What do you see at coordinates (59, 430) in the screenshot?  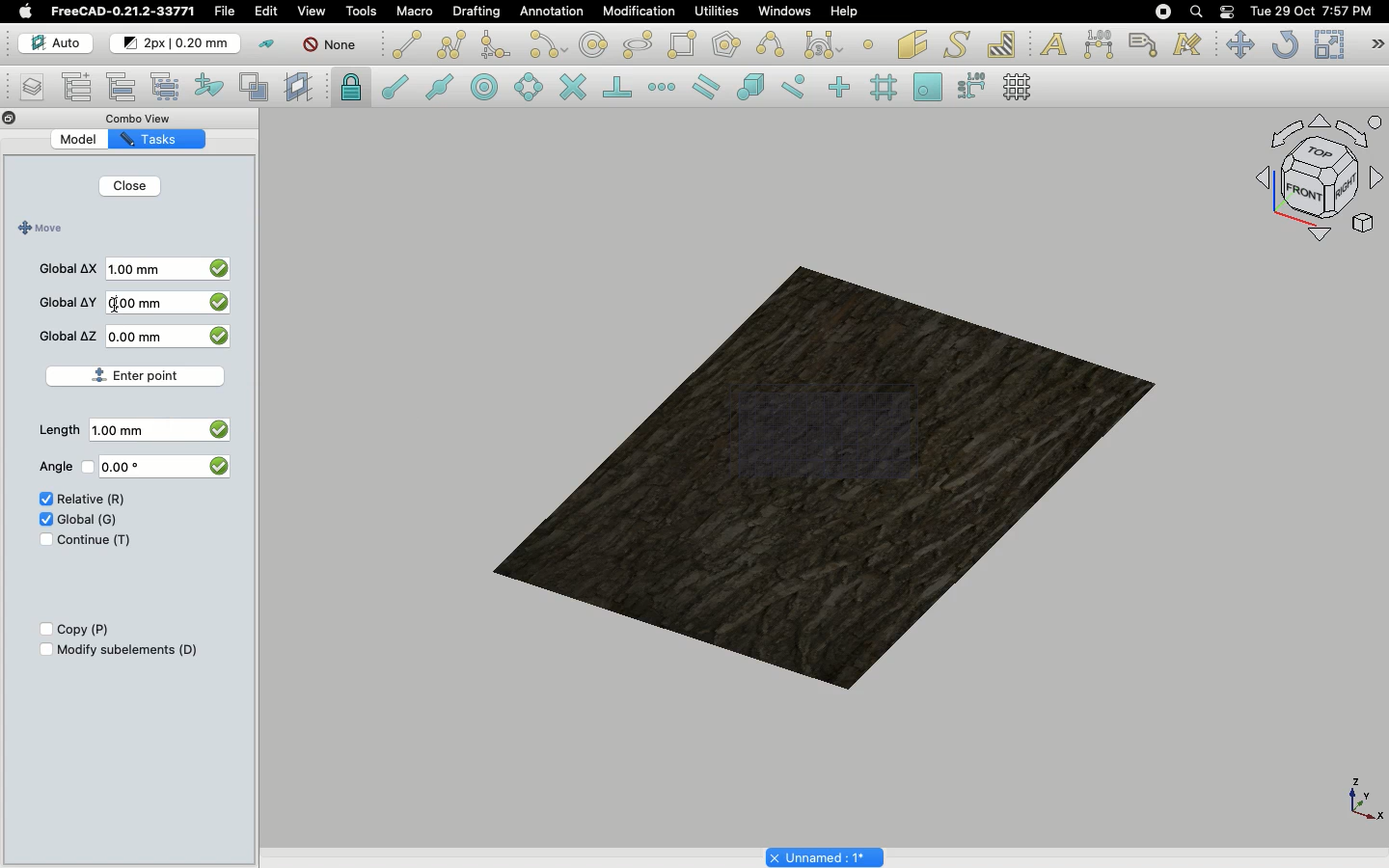 I see `Length` at bounding box center [59, 430].